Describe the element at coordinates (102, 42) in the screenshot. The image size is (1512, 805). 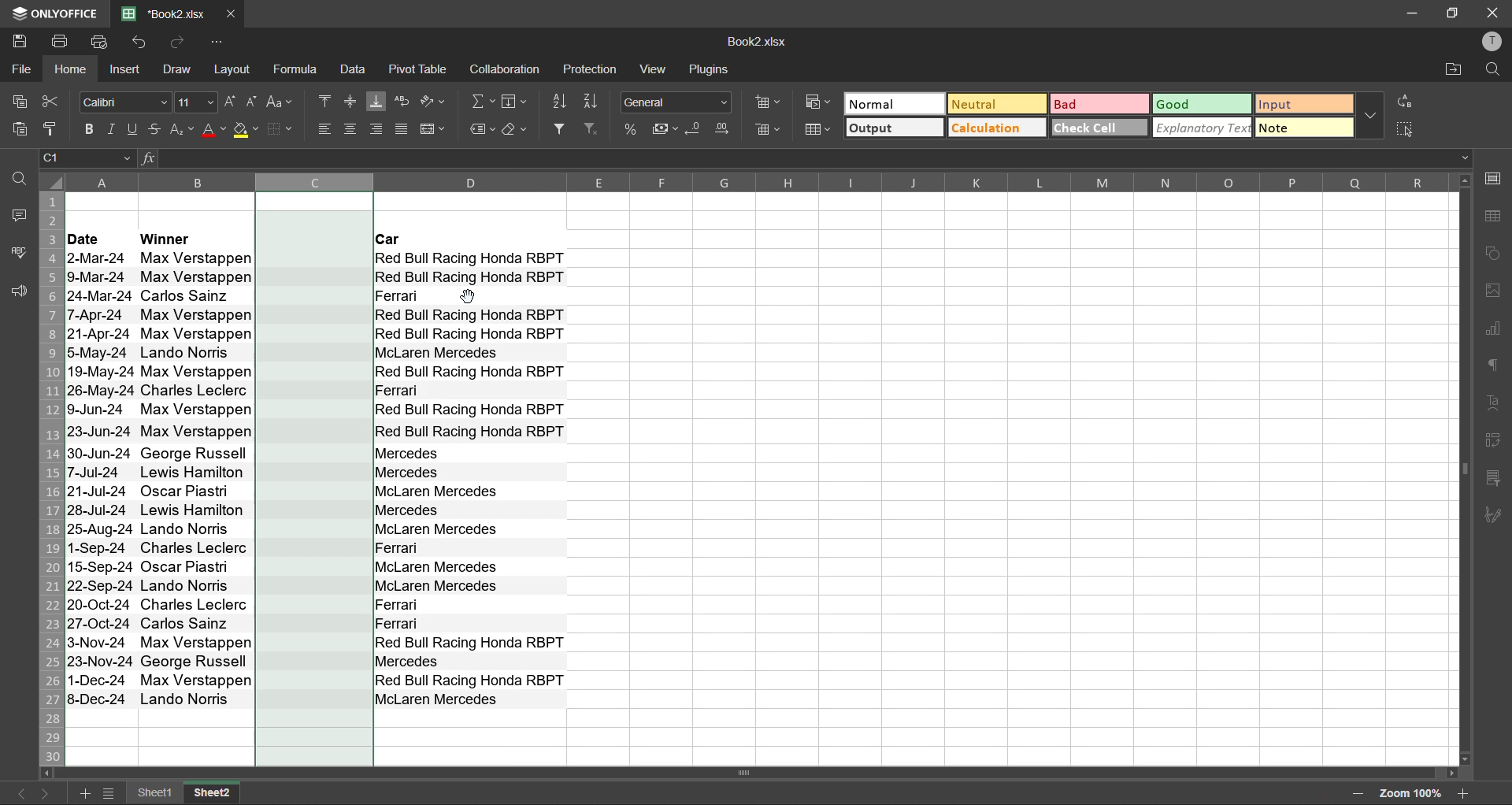
I see `quick print` at that location.